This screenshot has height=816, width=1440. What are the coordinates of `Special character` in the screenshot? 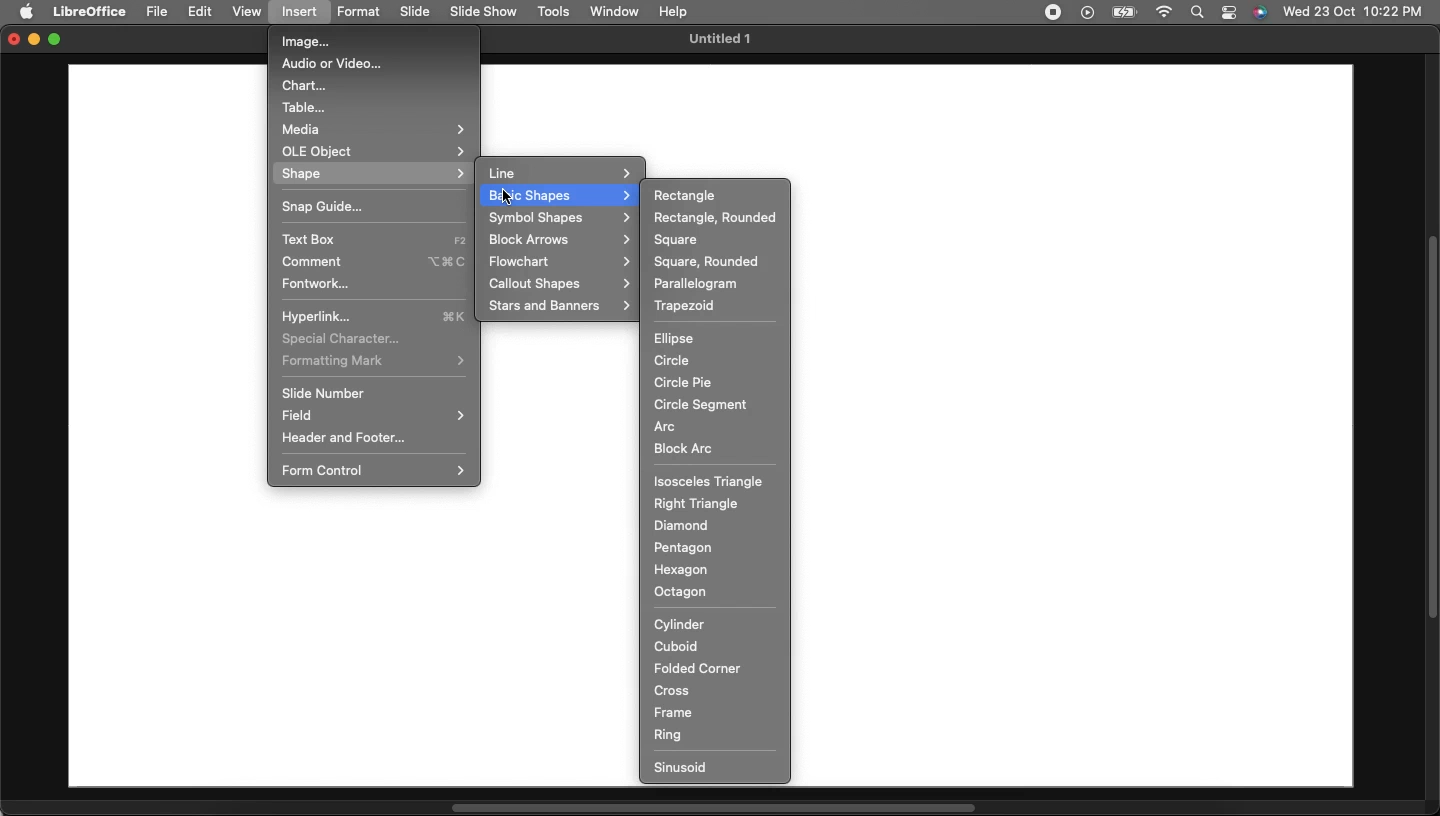 It's located at (343, 338).